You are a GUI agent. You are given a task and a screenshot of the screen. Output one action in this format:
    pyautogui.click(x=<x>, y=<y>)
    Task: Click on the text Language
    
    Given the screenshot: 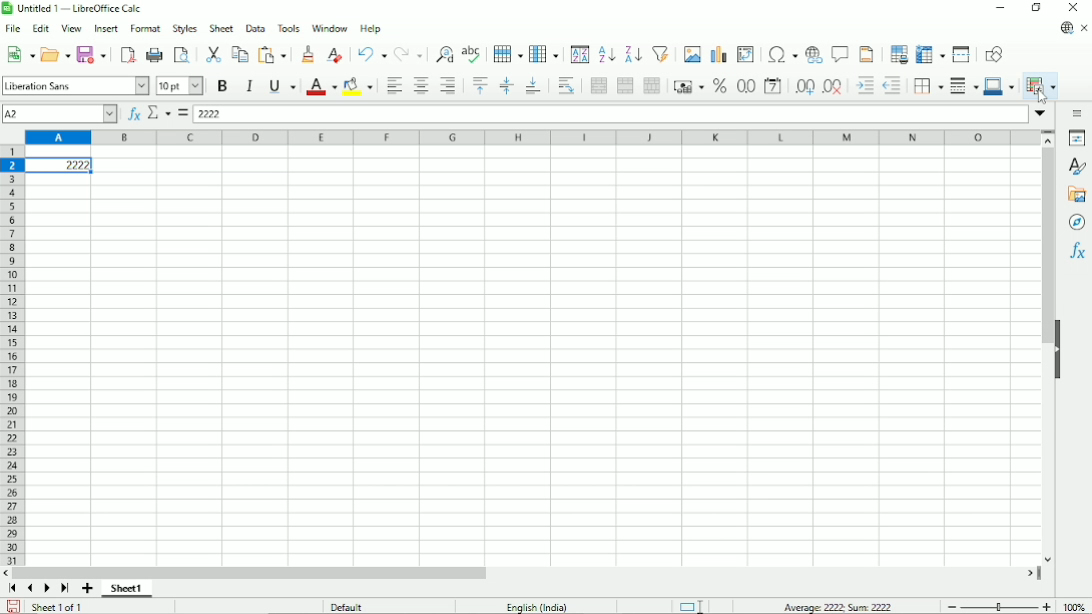 What is the action you would take?
    pyautogui.click(x=537, y=607)
    